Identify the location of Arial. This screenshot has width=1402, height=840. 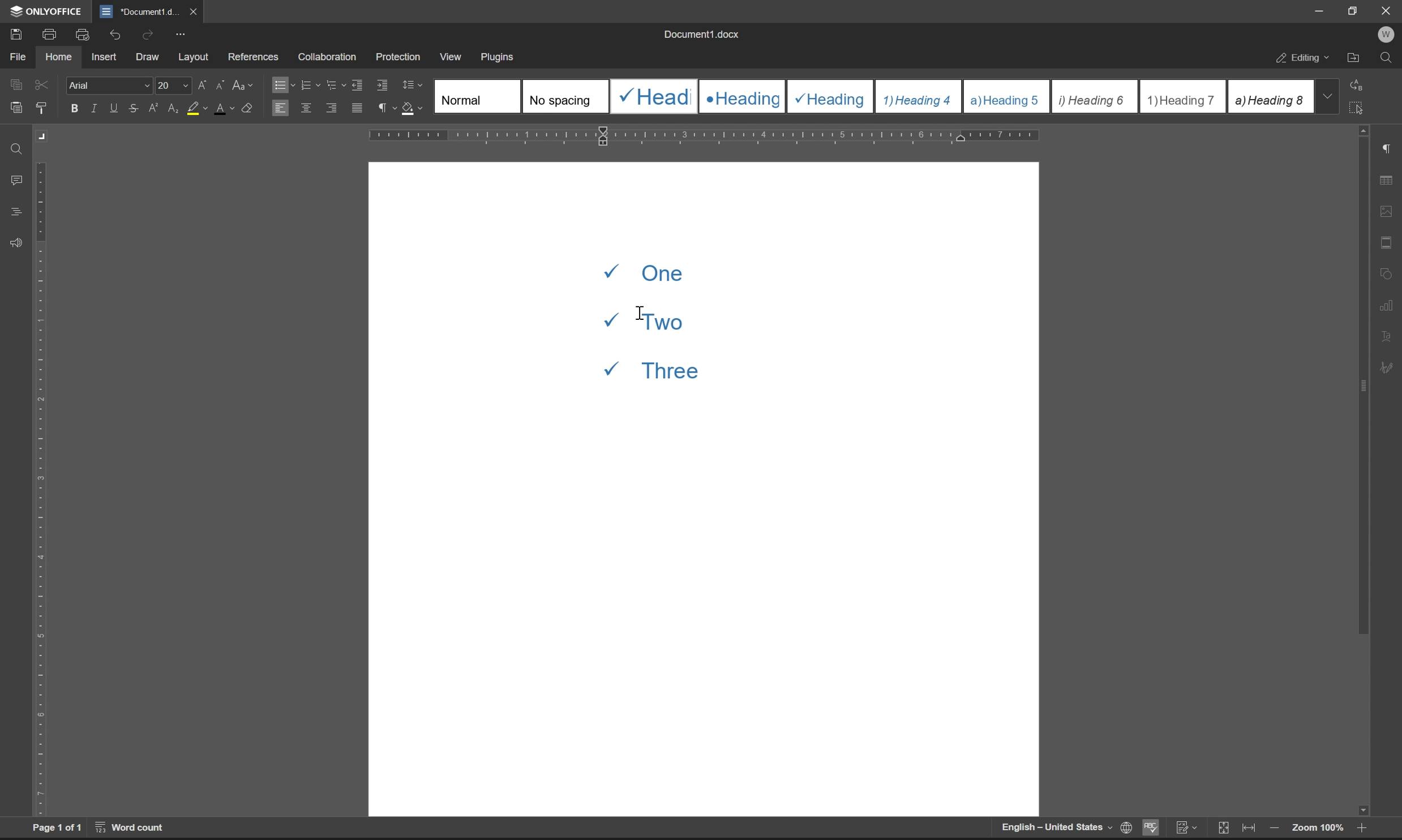
(108, 84).